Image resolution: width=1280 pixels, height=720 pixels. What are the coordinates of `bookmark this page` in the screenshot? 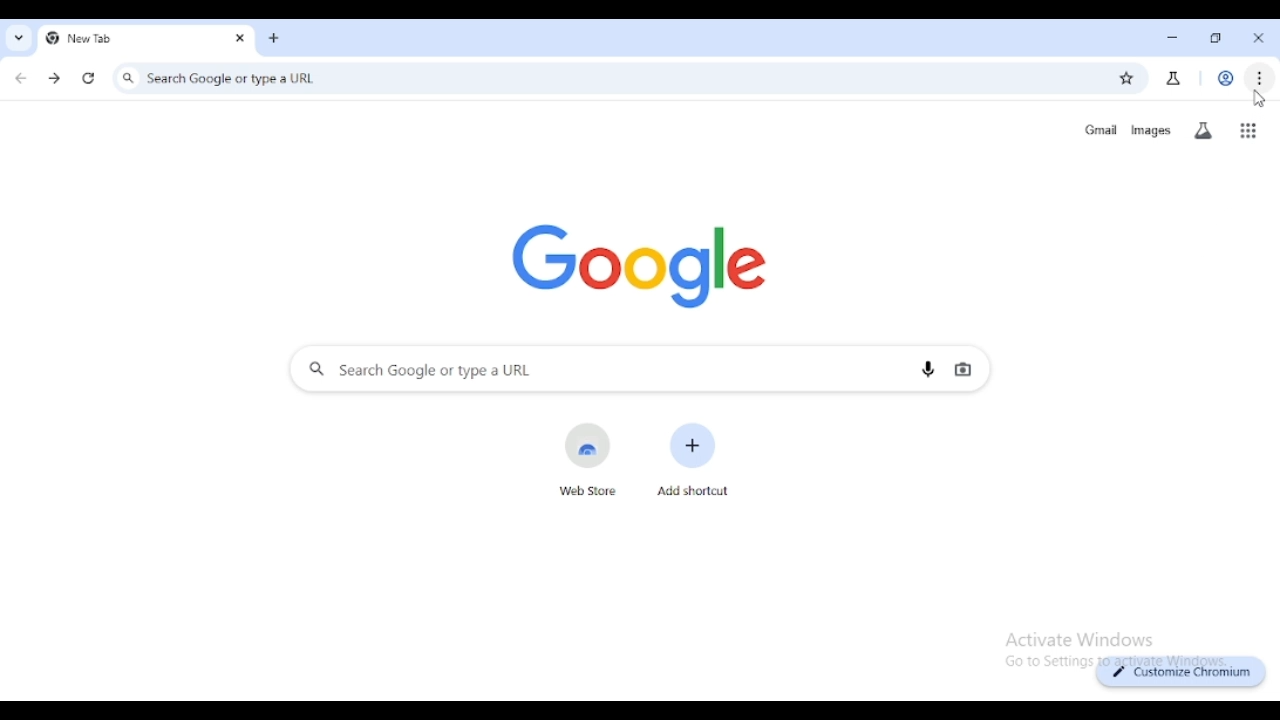 It's located at (1126, 79).